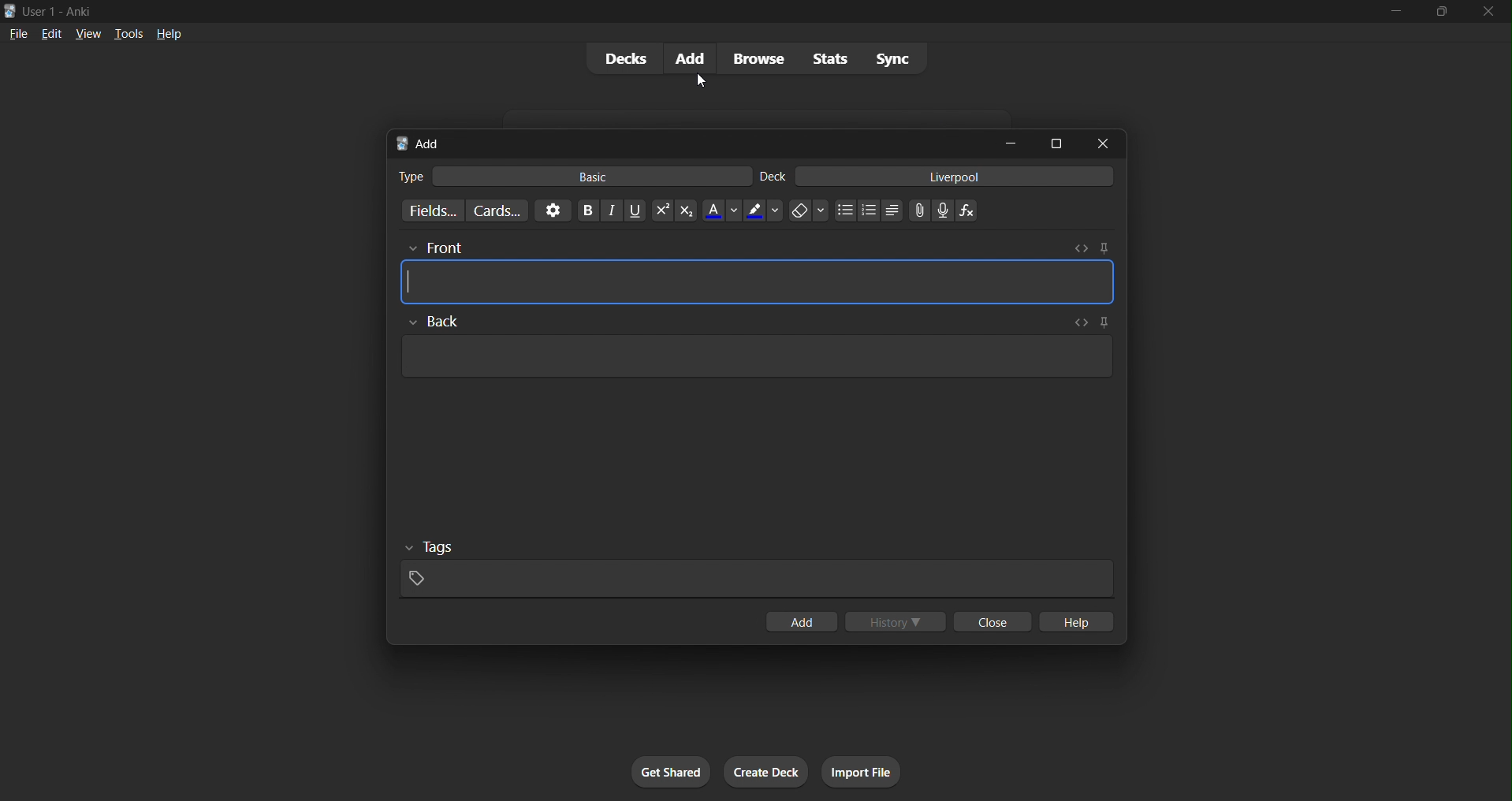 Image resolution: width=1512 pixels, height=801 pixels. Describe the element at coordinates (605, 210) in the screenshot. I see `italic` at that location.